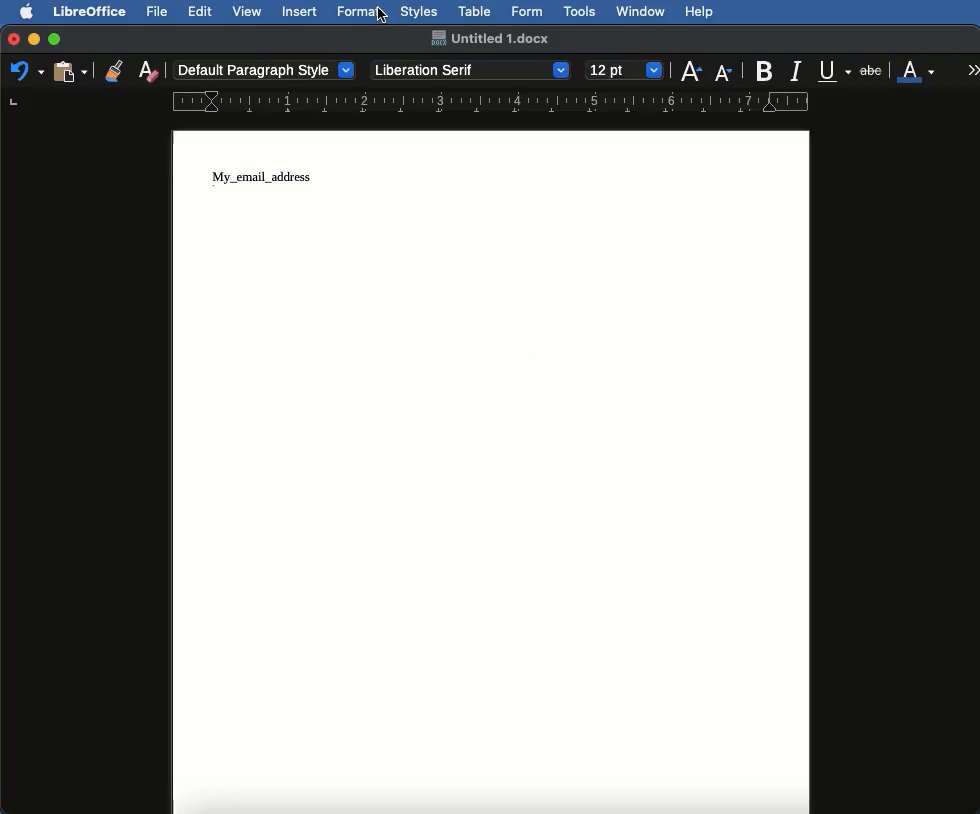 This screenshot has width=980, height=814. What do you see at coordinates (266, 70) in the screenshot?
I see `Paragraph style` at bounding box center [266, 70].